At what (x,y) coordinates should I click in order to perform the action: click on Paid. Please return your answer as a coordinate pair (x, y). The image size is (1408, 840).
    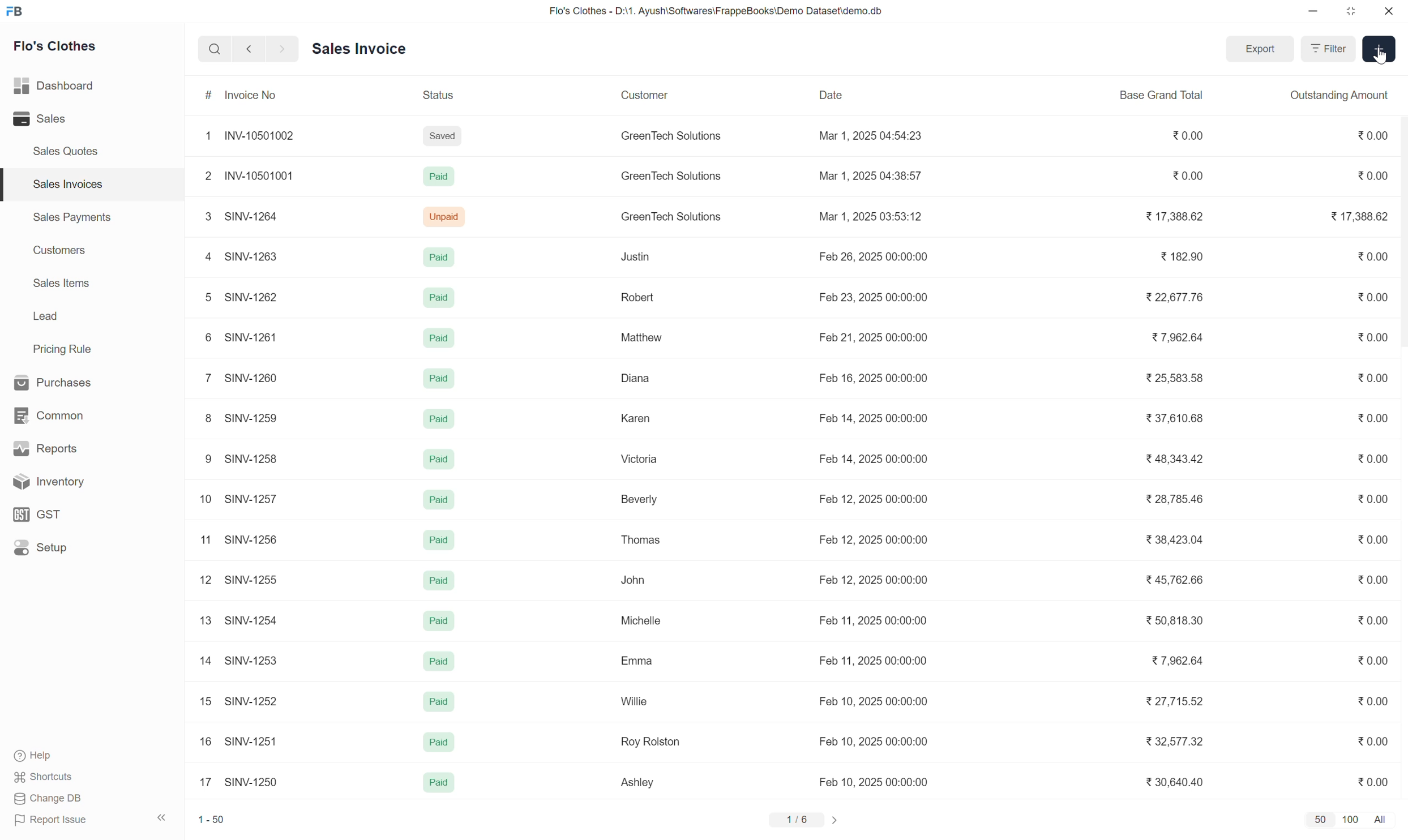
    Looking at the image, I should click on (439, 580).